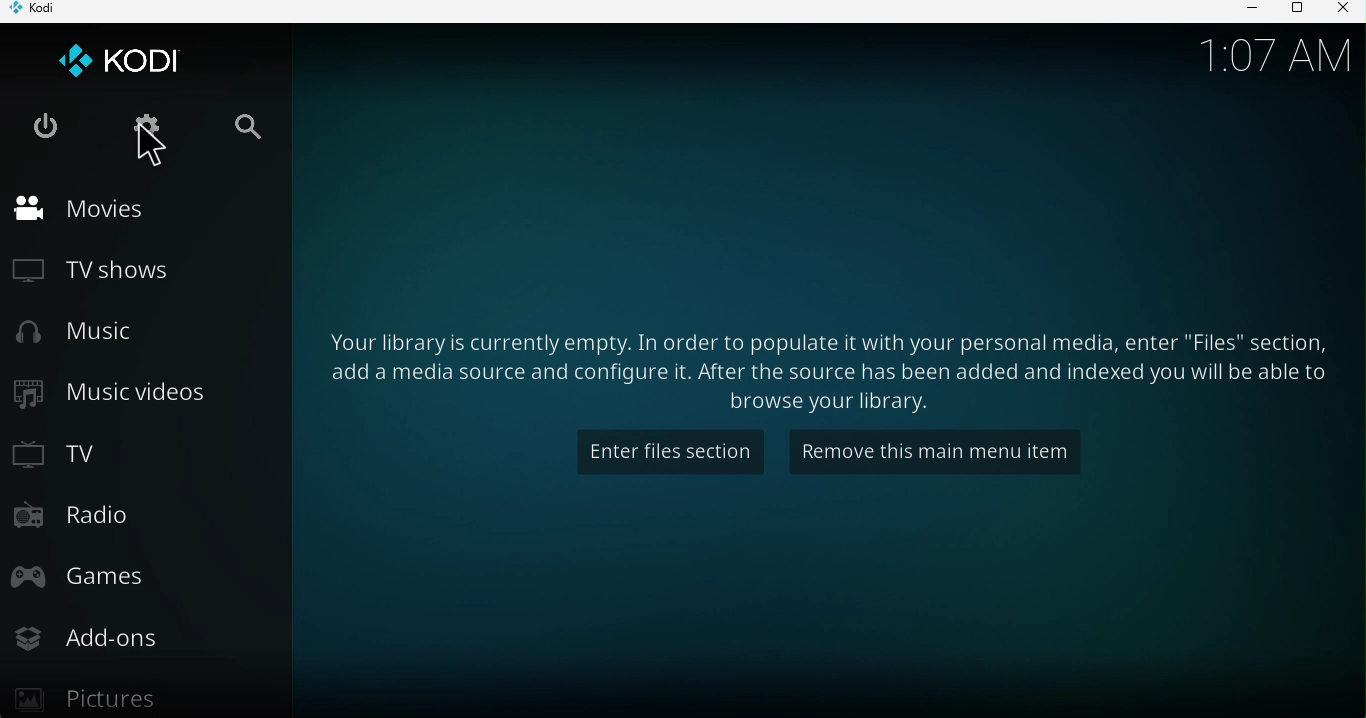 This screenshot has height=718, width=1366. I want to click on cursor, so click(150, 151).